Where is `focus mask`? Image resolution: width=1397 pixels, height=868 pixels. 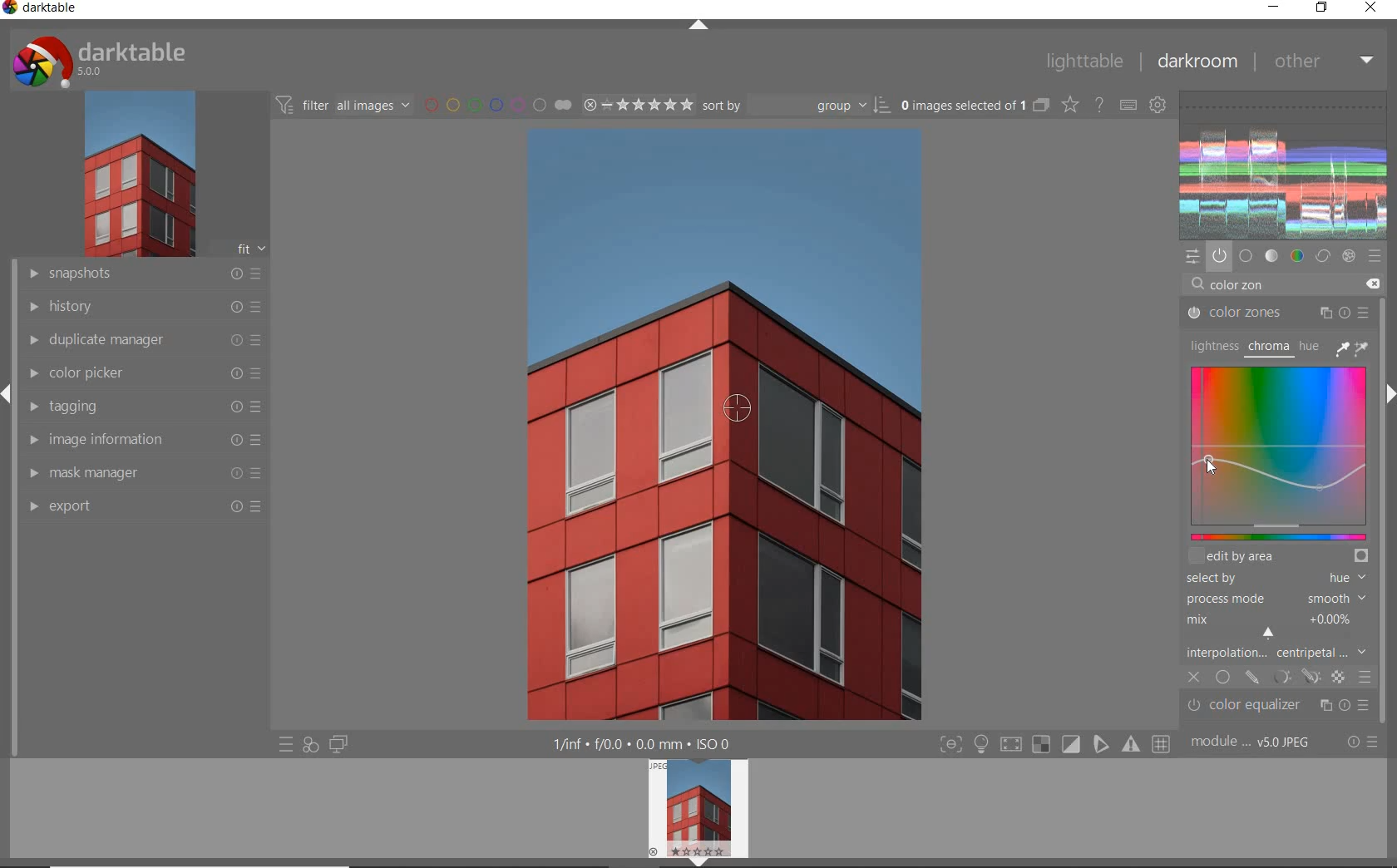
focus mask is located at coordinates (1128, 745).